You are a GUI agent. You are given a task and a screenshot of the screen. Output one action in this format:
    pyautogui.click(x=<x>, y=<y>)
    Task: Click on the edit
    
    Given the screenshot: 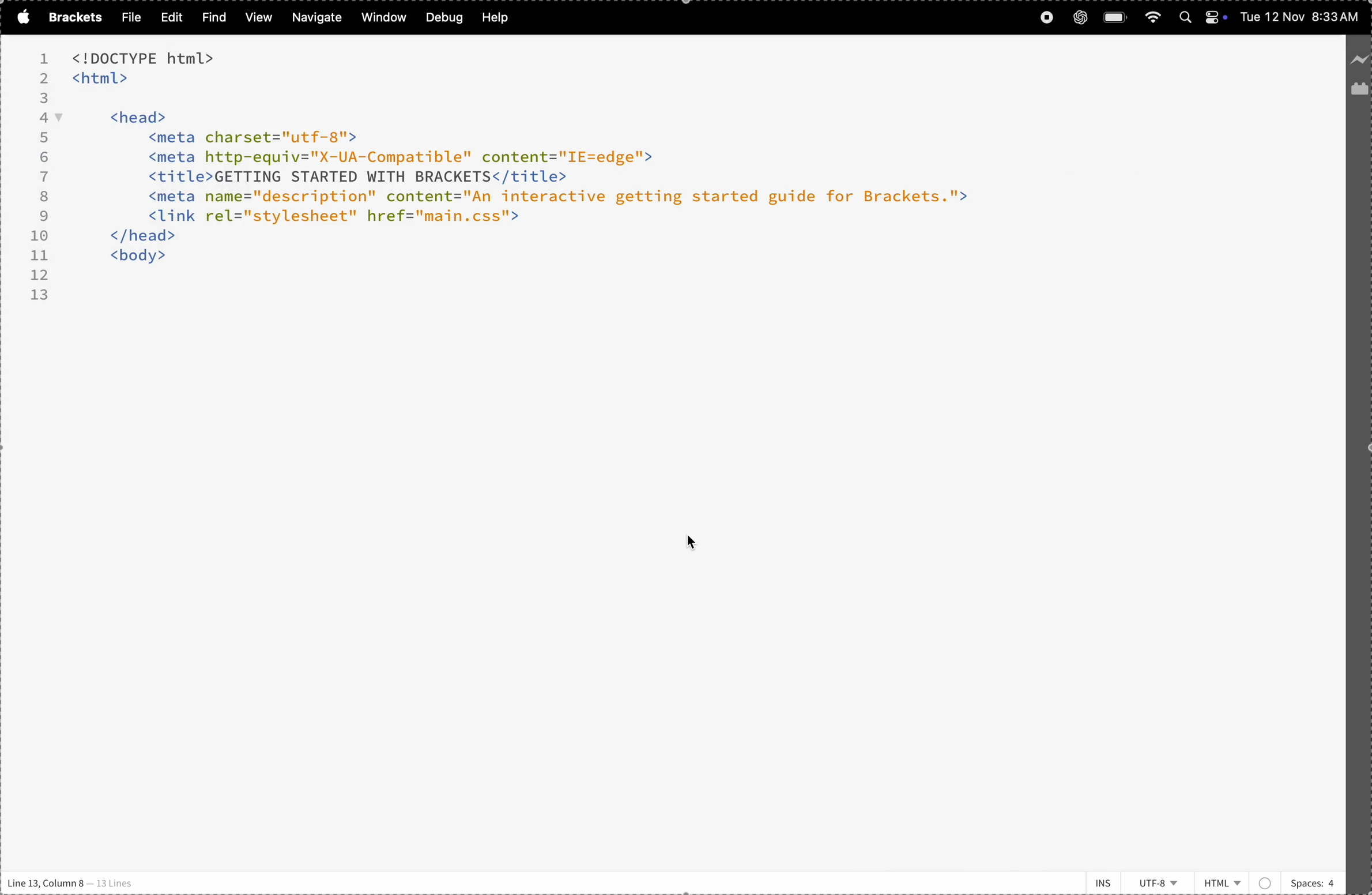 What is the action you would take?
    pyautogui.click(x=168, y=17)
    